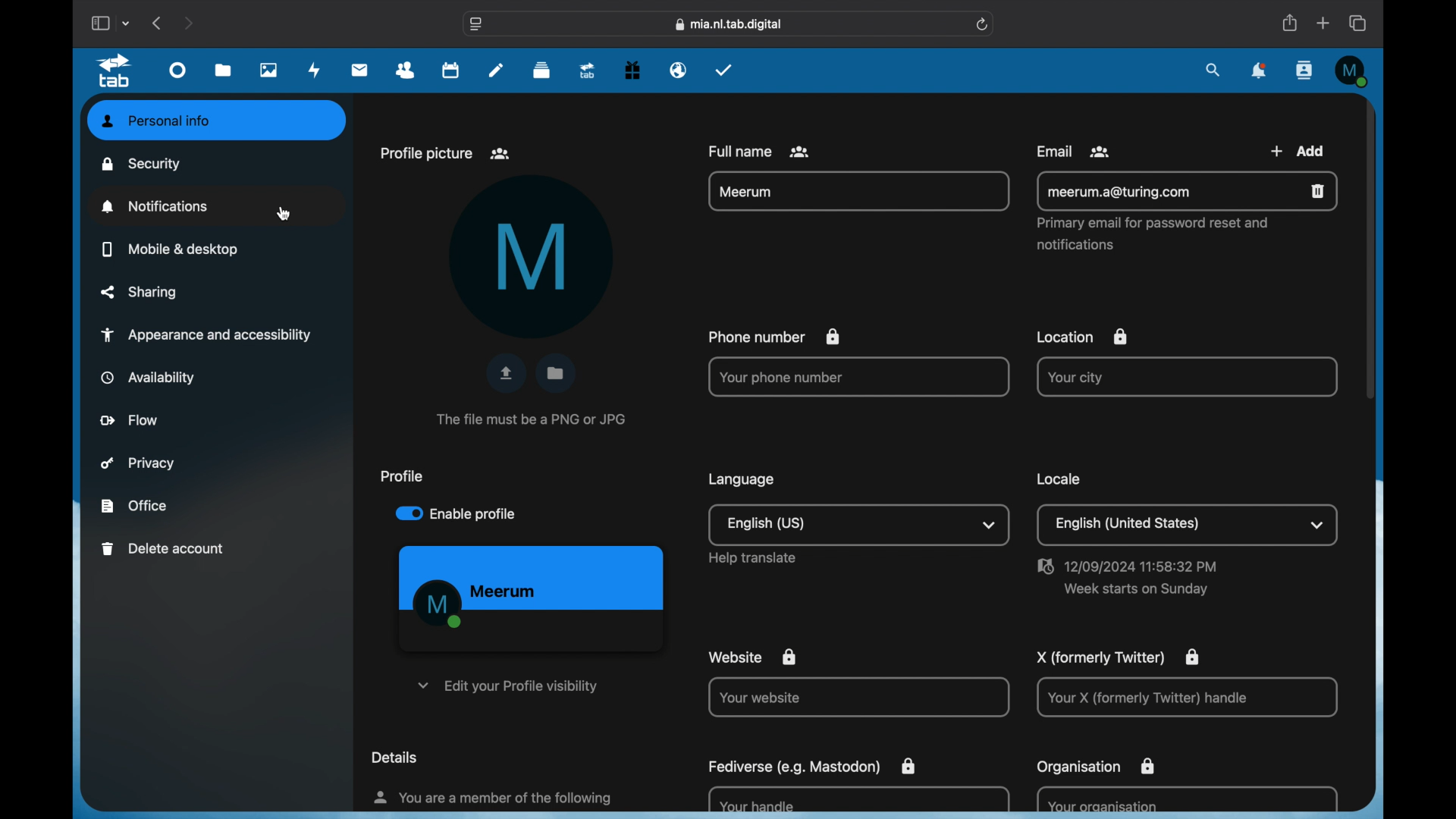 This screenshot has width=1456, height=819. Describe the element at coordinates (438, 606) in the screenshot. I see `M` at that location.